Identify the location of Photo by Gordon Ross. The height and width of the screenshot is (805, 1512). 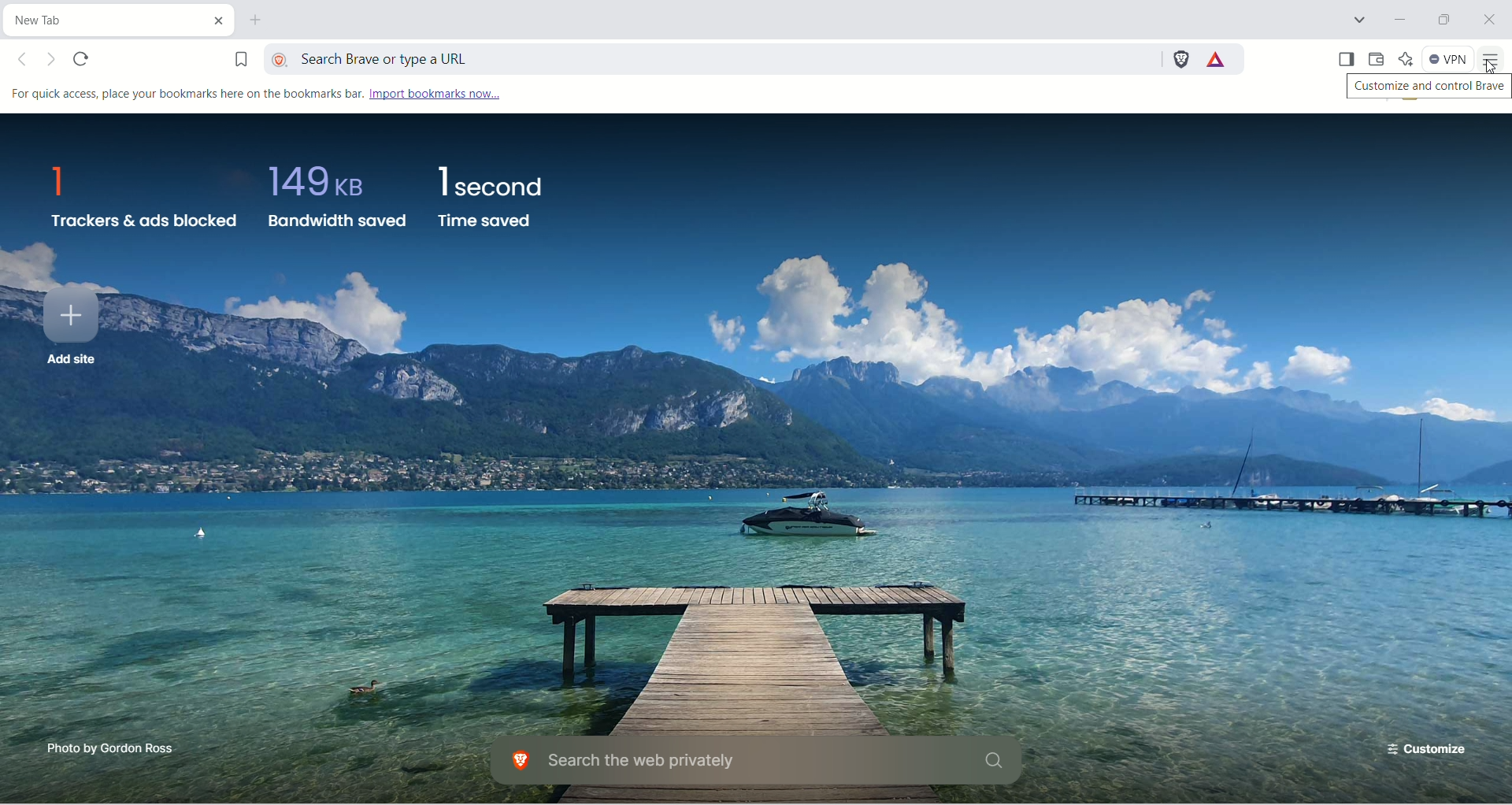
(114, 748).